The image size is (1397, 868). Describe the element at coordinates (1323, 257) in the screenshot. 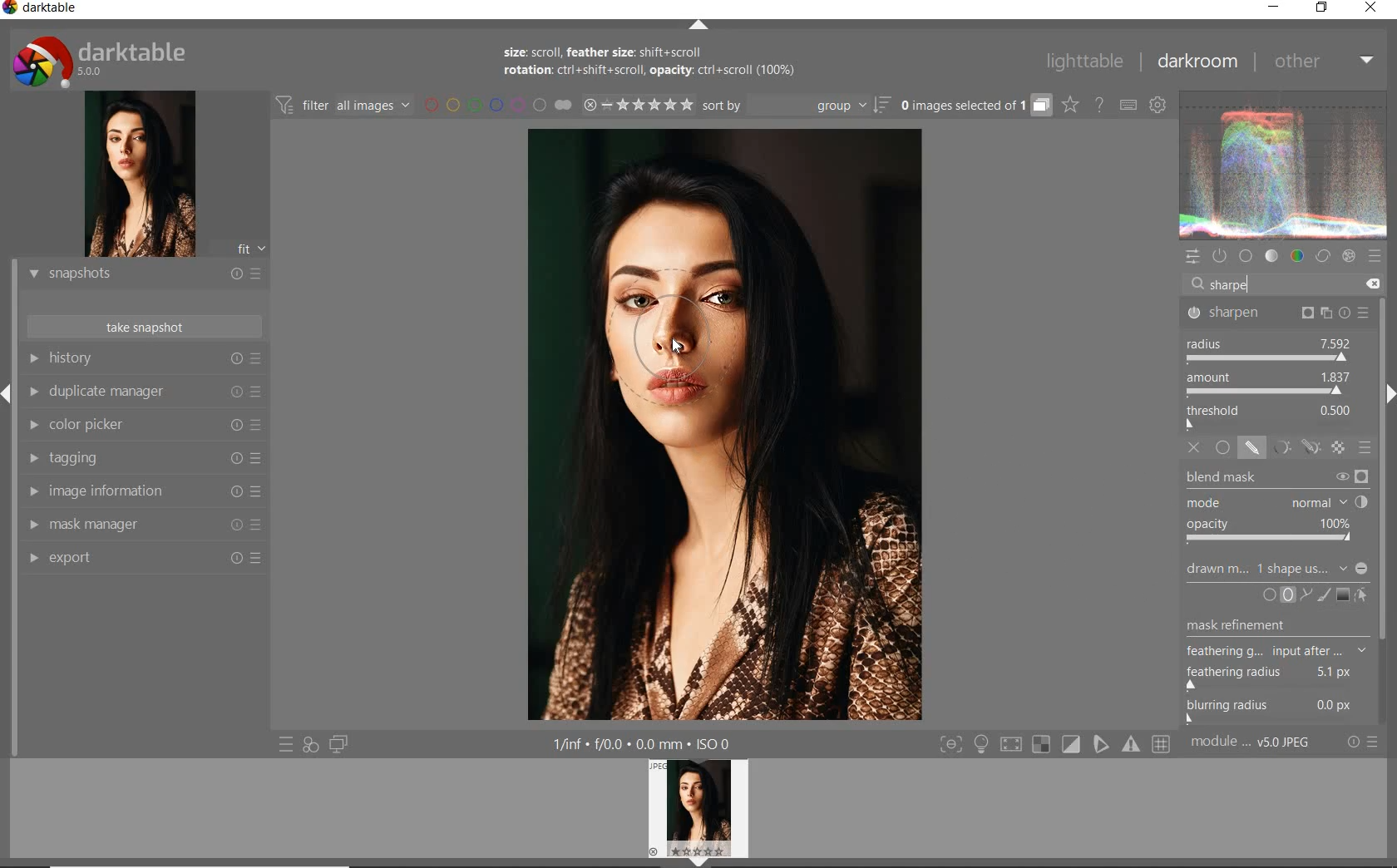

I see `correct` at that location.